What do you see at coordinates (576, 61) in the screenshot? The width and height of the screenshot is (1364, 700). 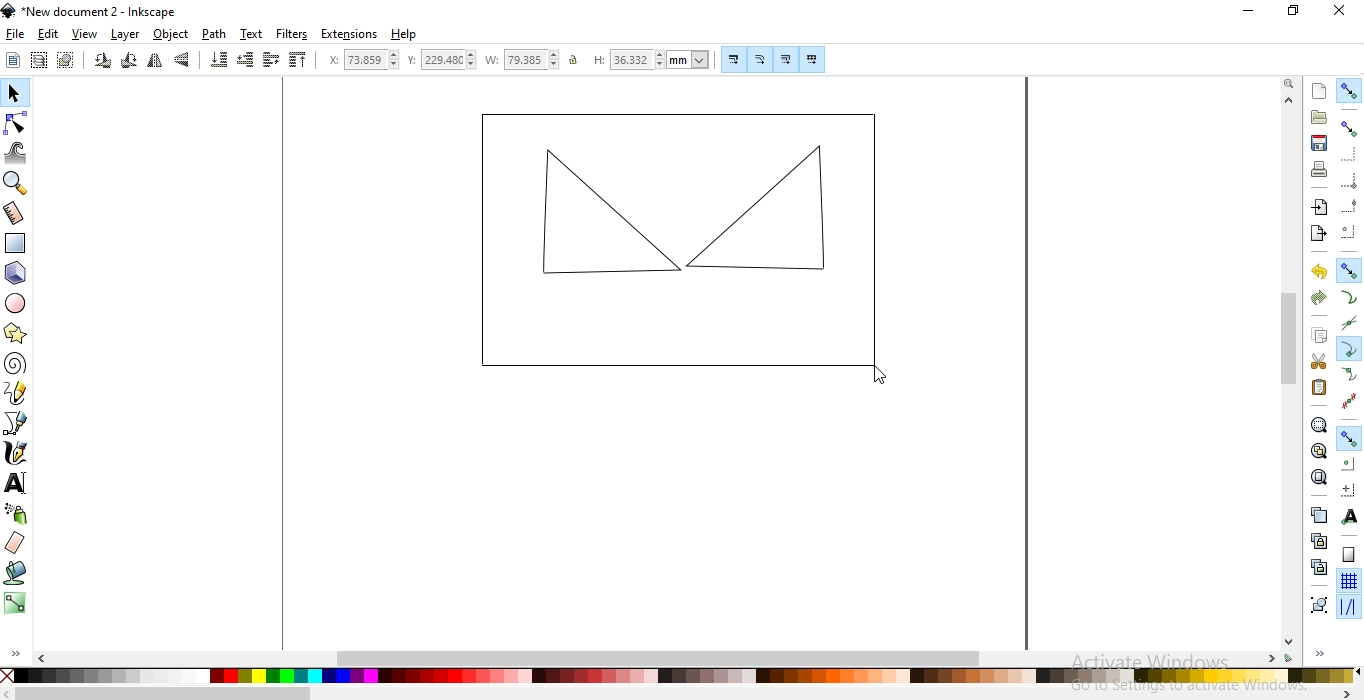 I see `unlock` at bounding box center [576, 61].